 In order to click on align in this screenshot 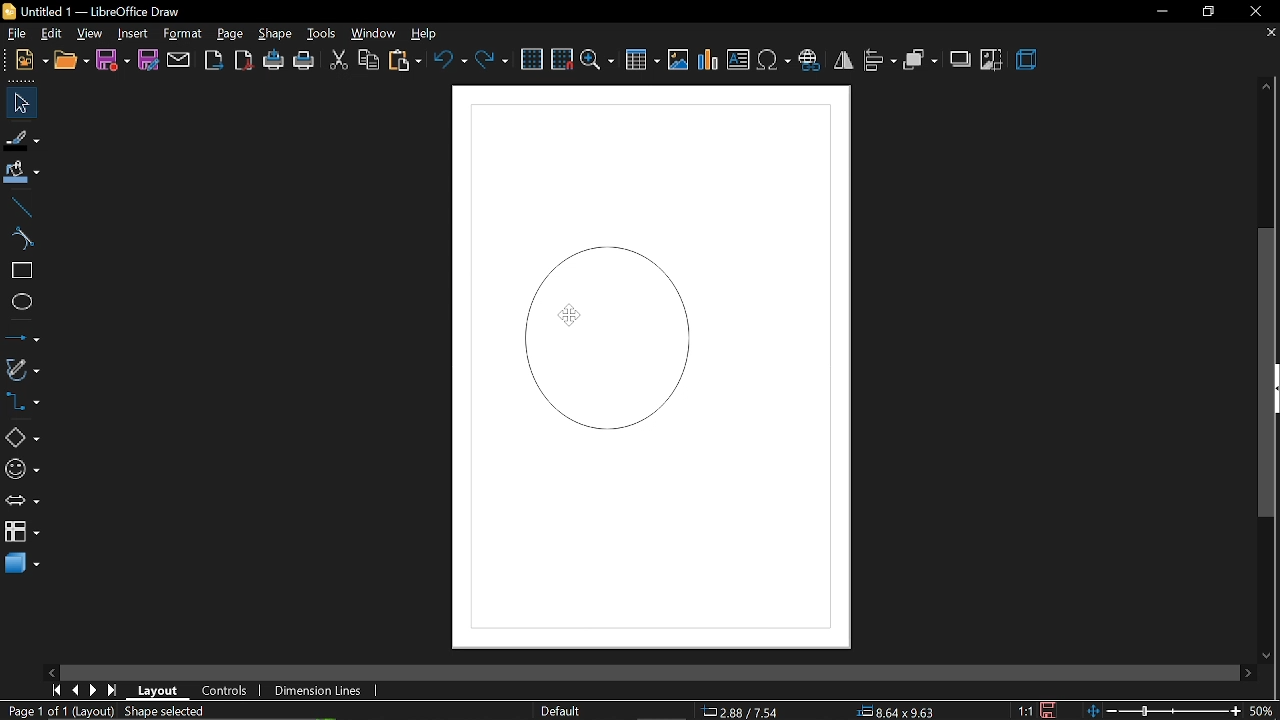, I will do `click(881, 60)`.